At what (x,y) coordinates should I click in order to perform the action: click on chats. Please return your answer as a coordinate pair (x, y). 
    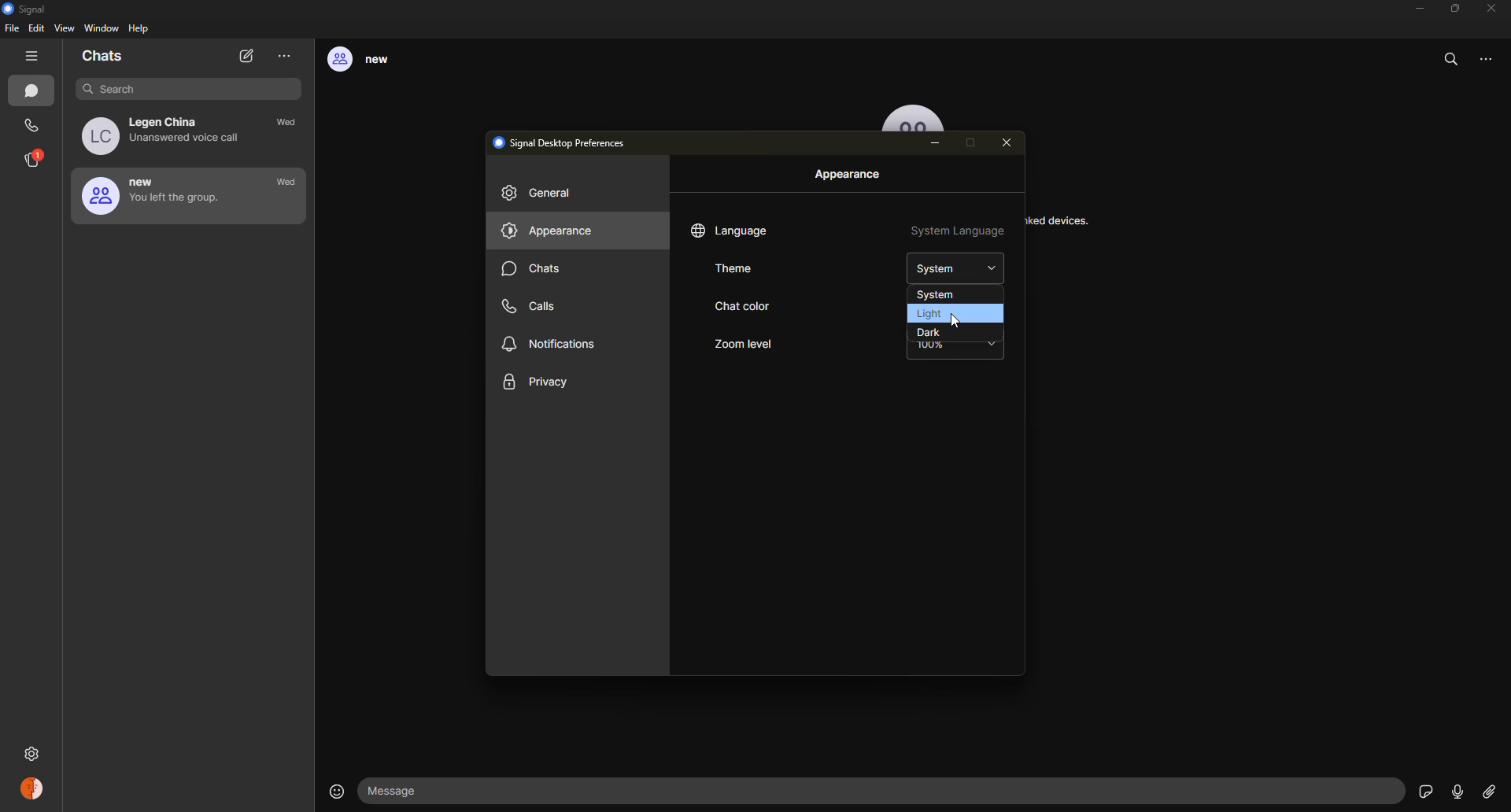
    Looking at the image, I should click on (104, 57).